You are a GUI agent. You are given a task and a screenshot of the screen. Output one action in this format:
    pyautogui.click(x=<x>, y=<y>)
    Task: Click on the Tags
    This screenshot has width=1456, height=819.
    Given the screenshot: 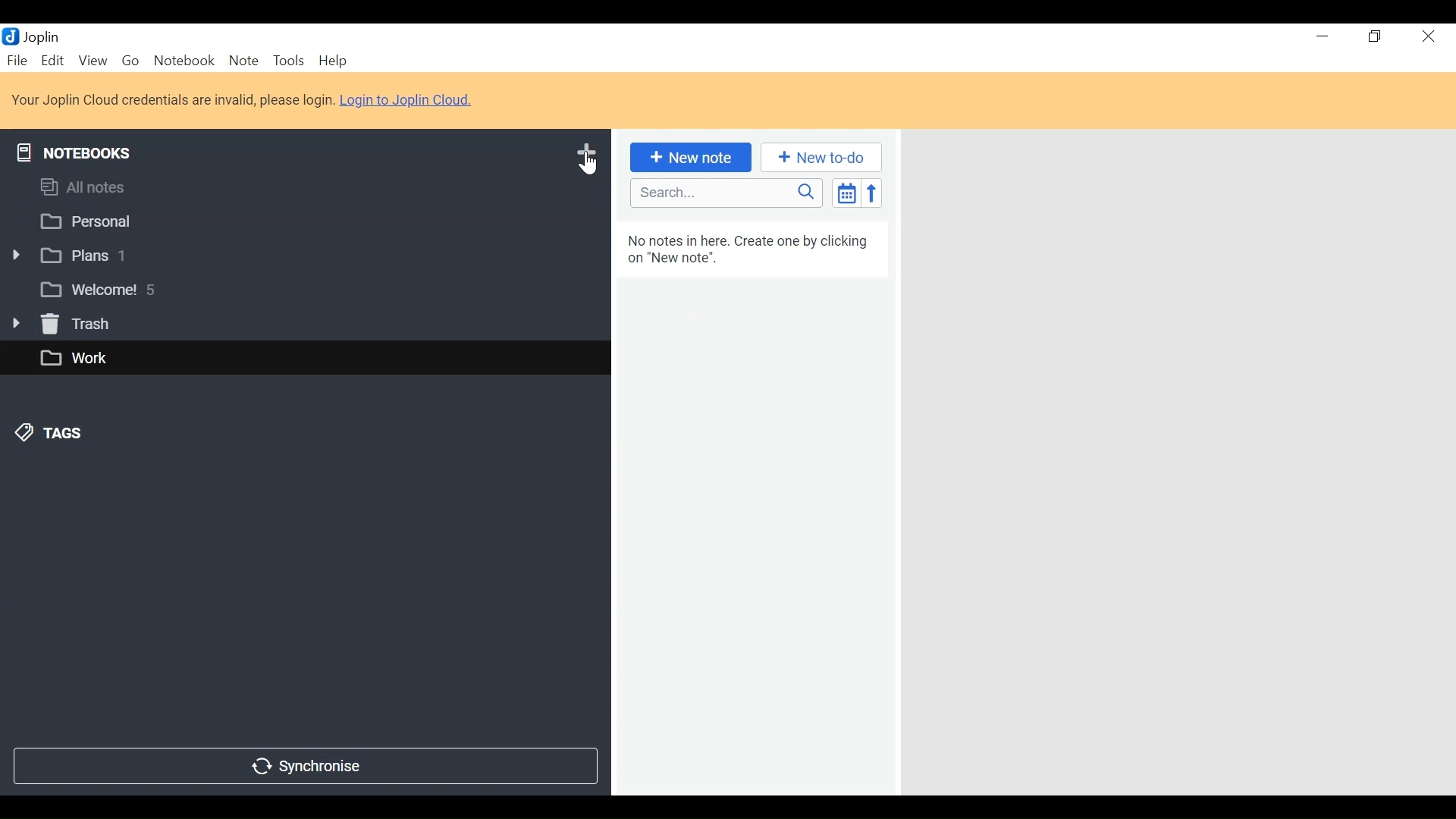 What is the action you would take?
    pyautogui.click(x=52, y=431)
    